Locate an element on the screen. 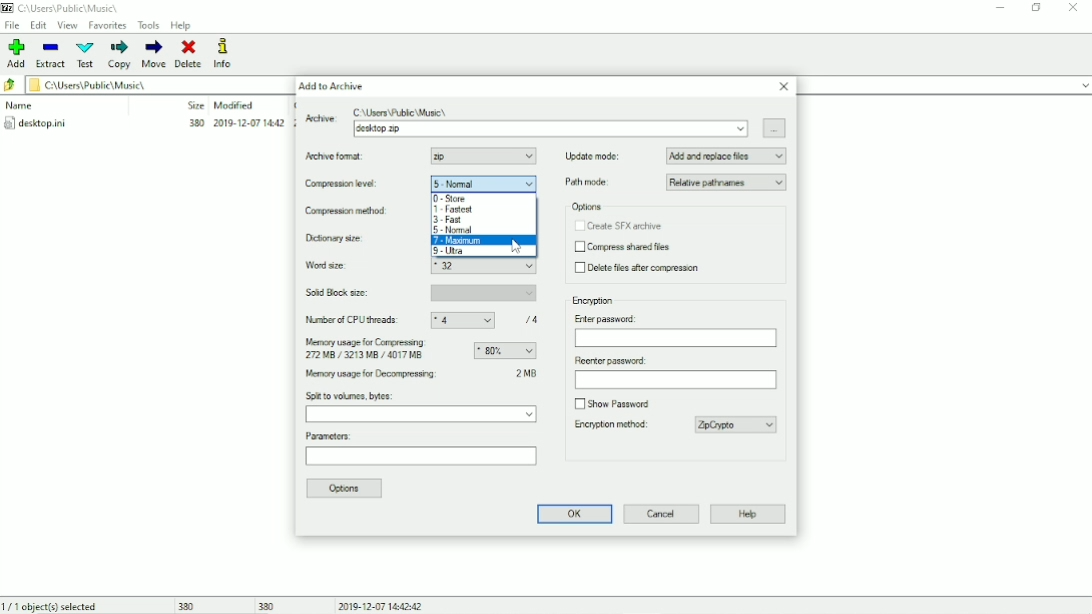 The image size is (1092, 614). Copy is located at coordinates (120, 54).